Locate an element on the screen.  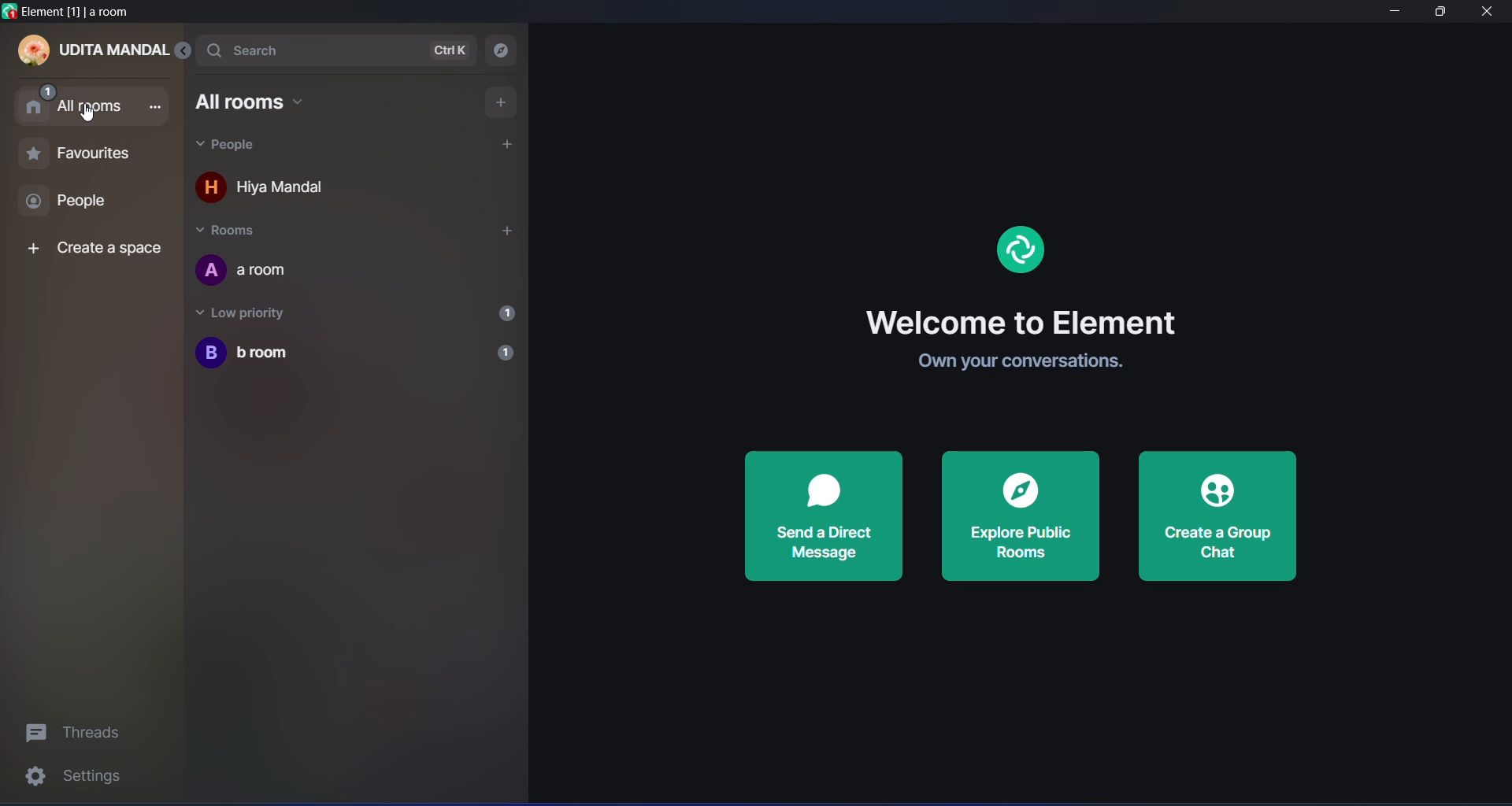
Close  is located at coordinates (1492, 13).